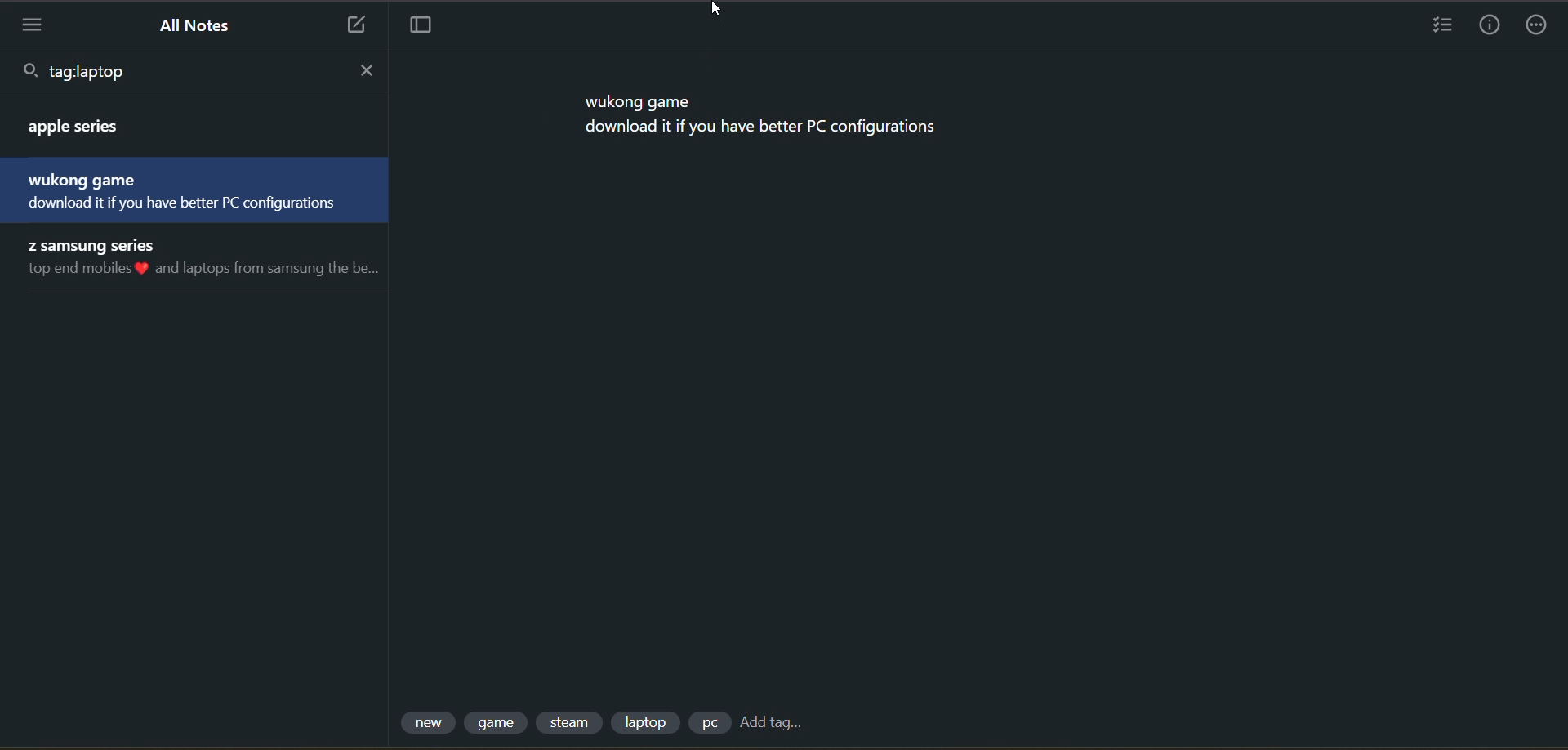  I want to click on add tag, so click(775, 721).